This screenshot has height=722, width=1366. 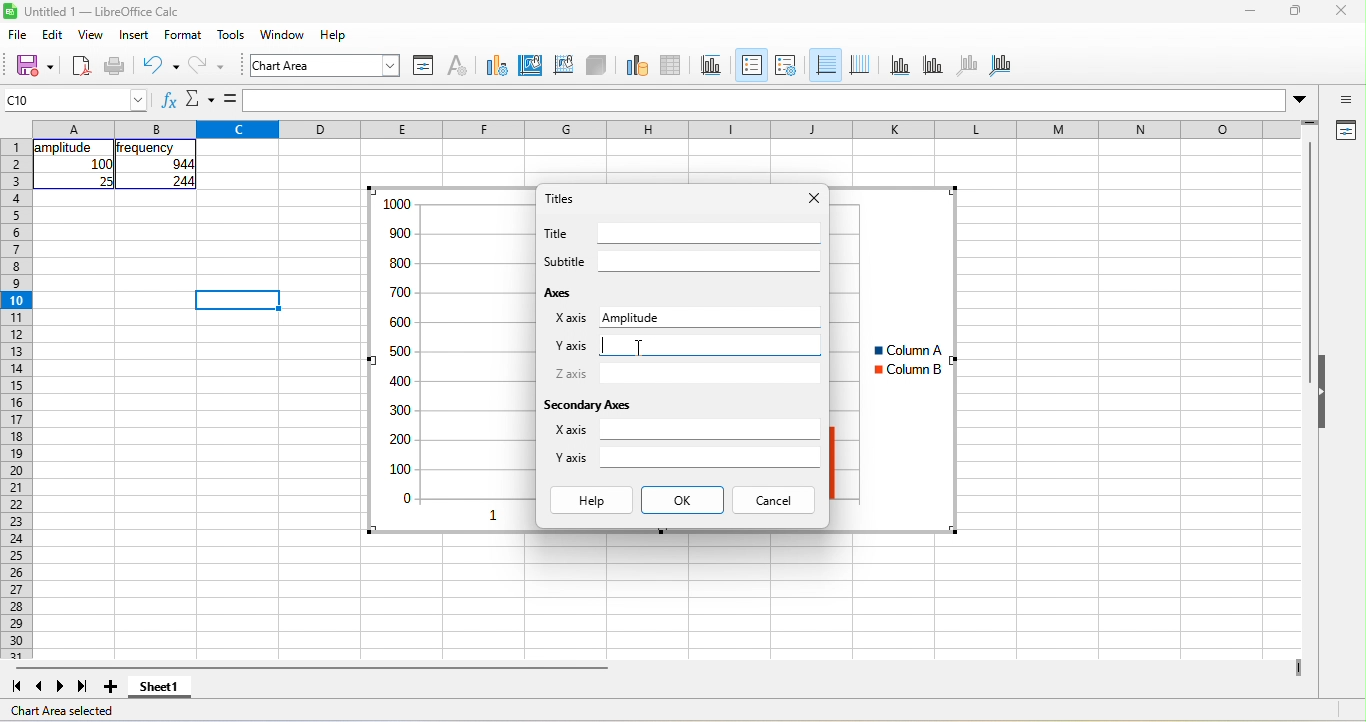 I want to click on 244, so click(x=183, y=181).